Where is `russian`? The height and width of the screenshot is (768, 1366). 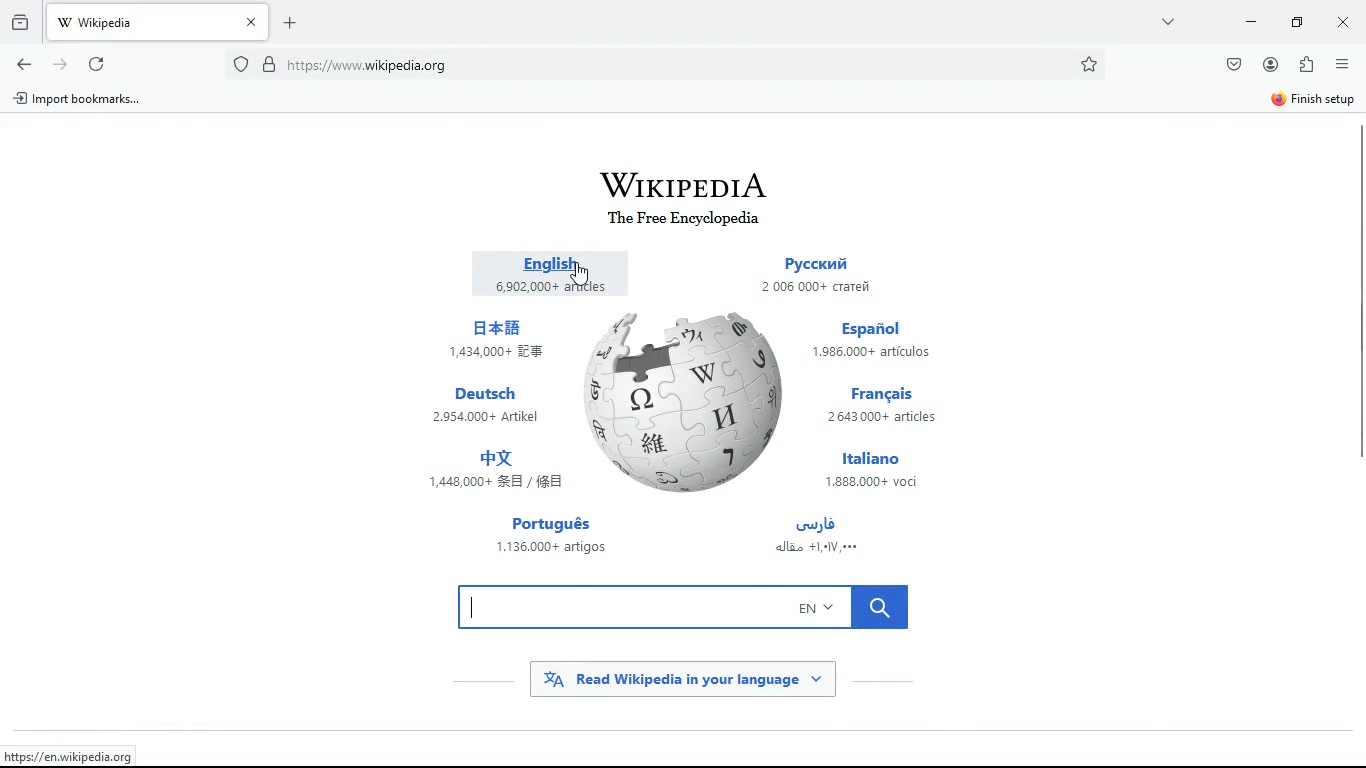
russian is located at coordinates (833, 276).